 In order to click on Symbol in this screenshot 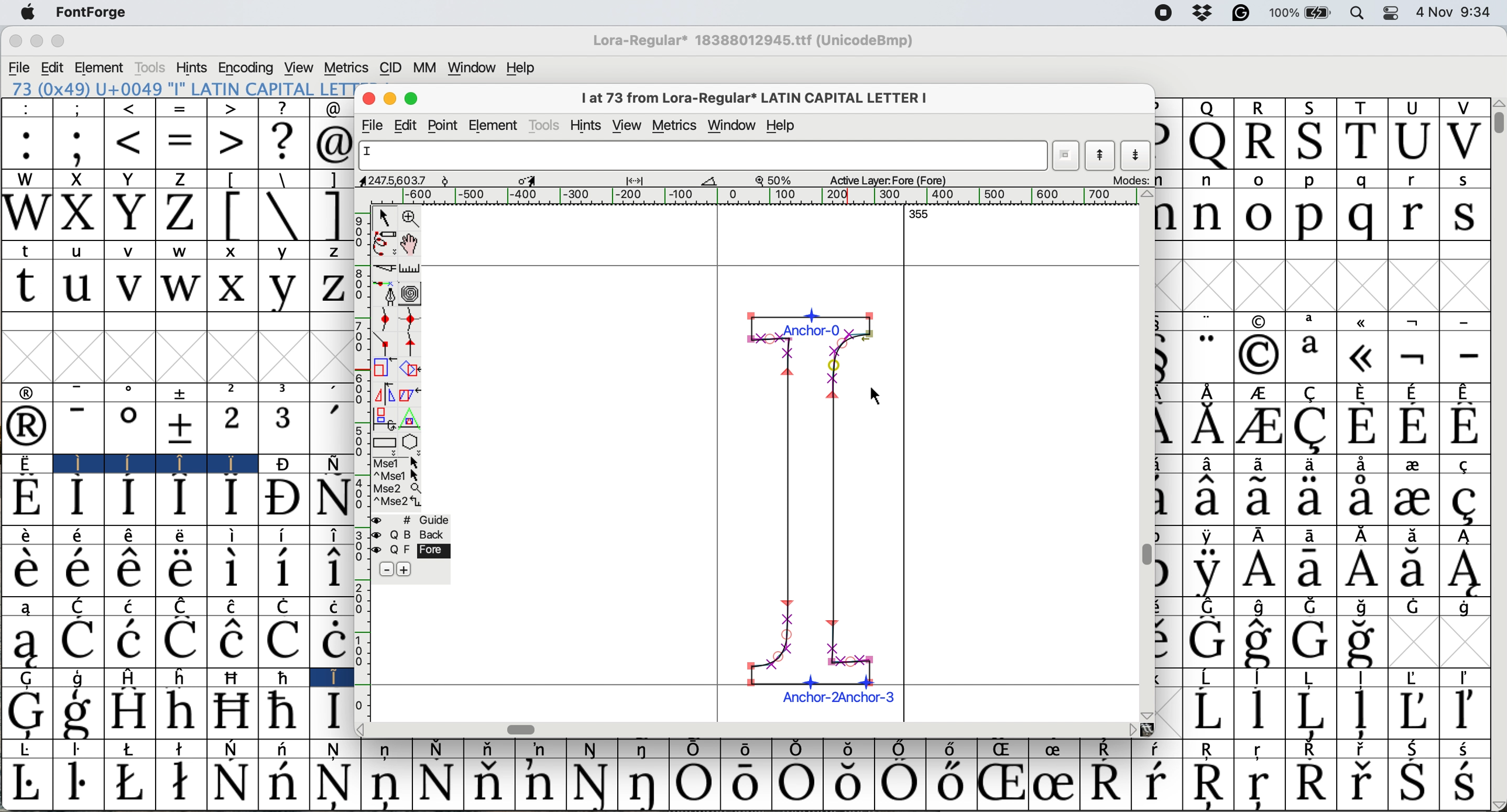, I will do `click(1157, 782)`.